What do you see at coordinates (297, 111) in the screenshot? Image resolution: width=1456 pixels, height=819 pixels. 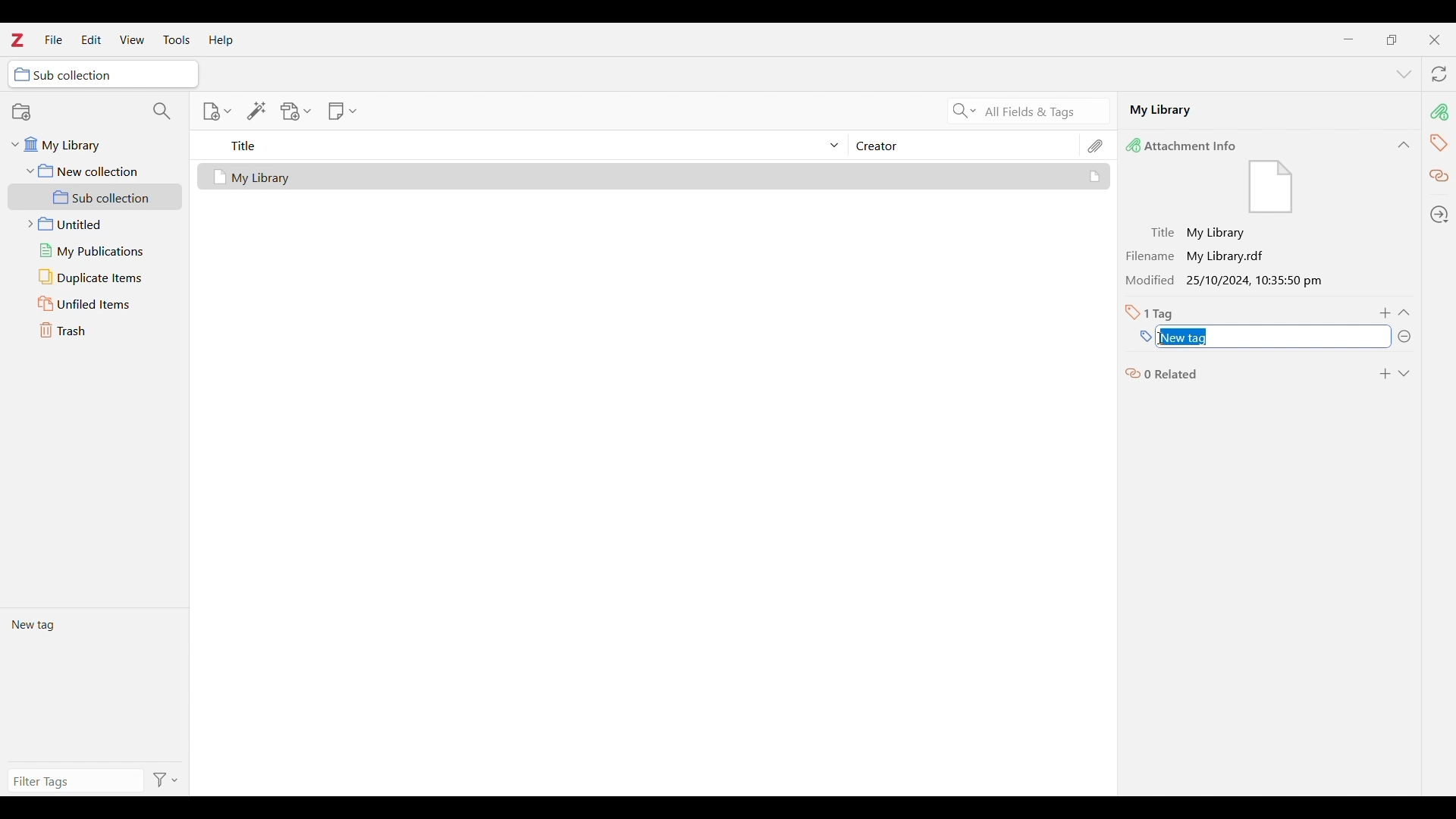 I see `Add attachment options` at bounding box center [297, 111].